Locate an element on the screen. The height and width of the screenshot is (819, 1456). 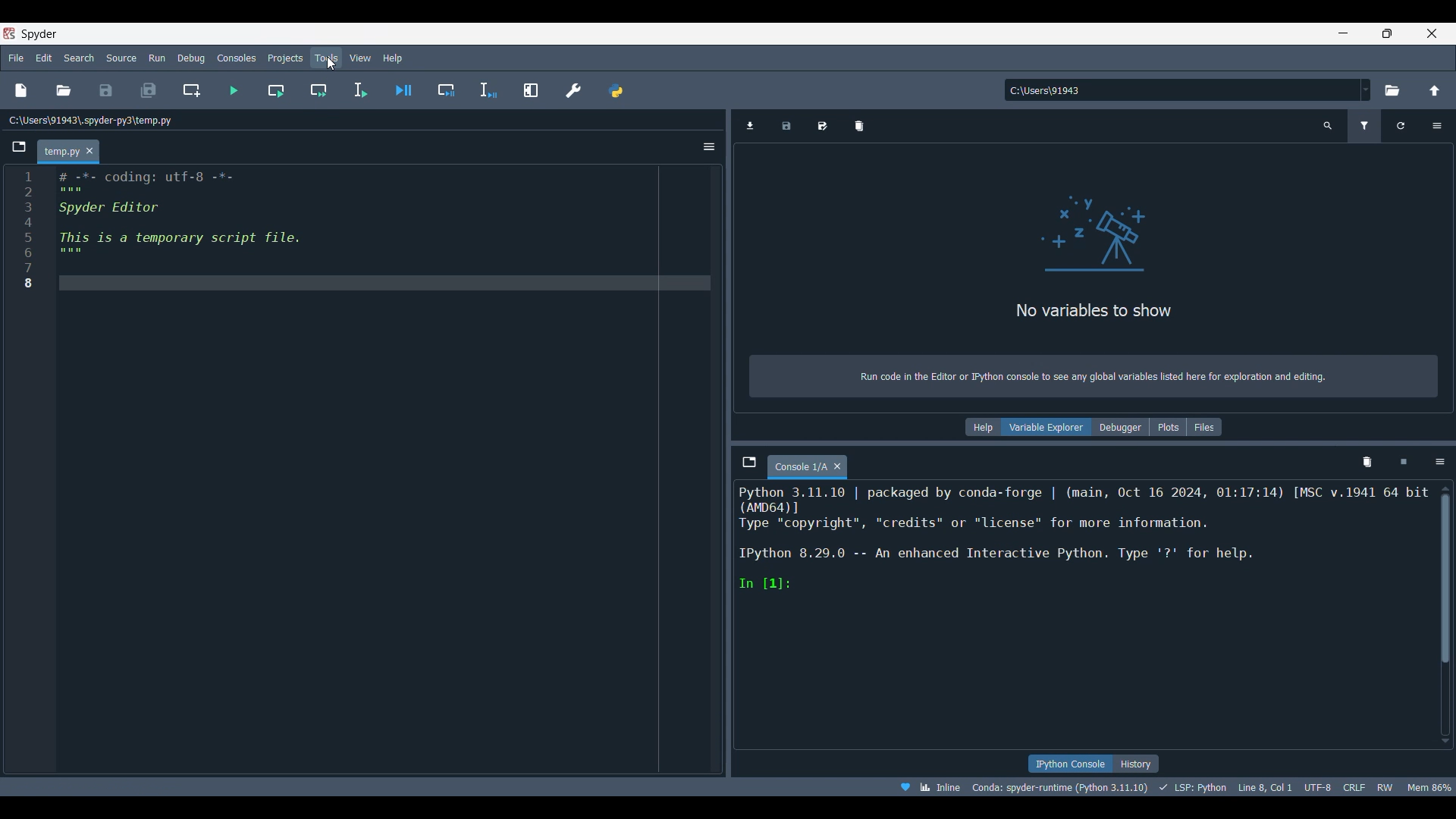
Variable explorer, current selection highlighted is located at coordinates (1047, 427).